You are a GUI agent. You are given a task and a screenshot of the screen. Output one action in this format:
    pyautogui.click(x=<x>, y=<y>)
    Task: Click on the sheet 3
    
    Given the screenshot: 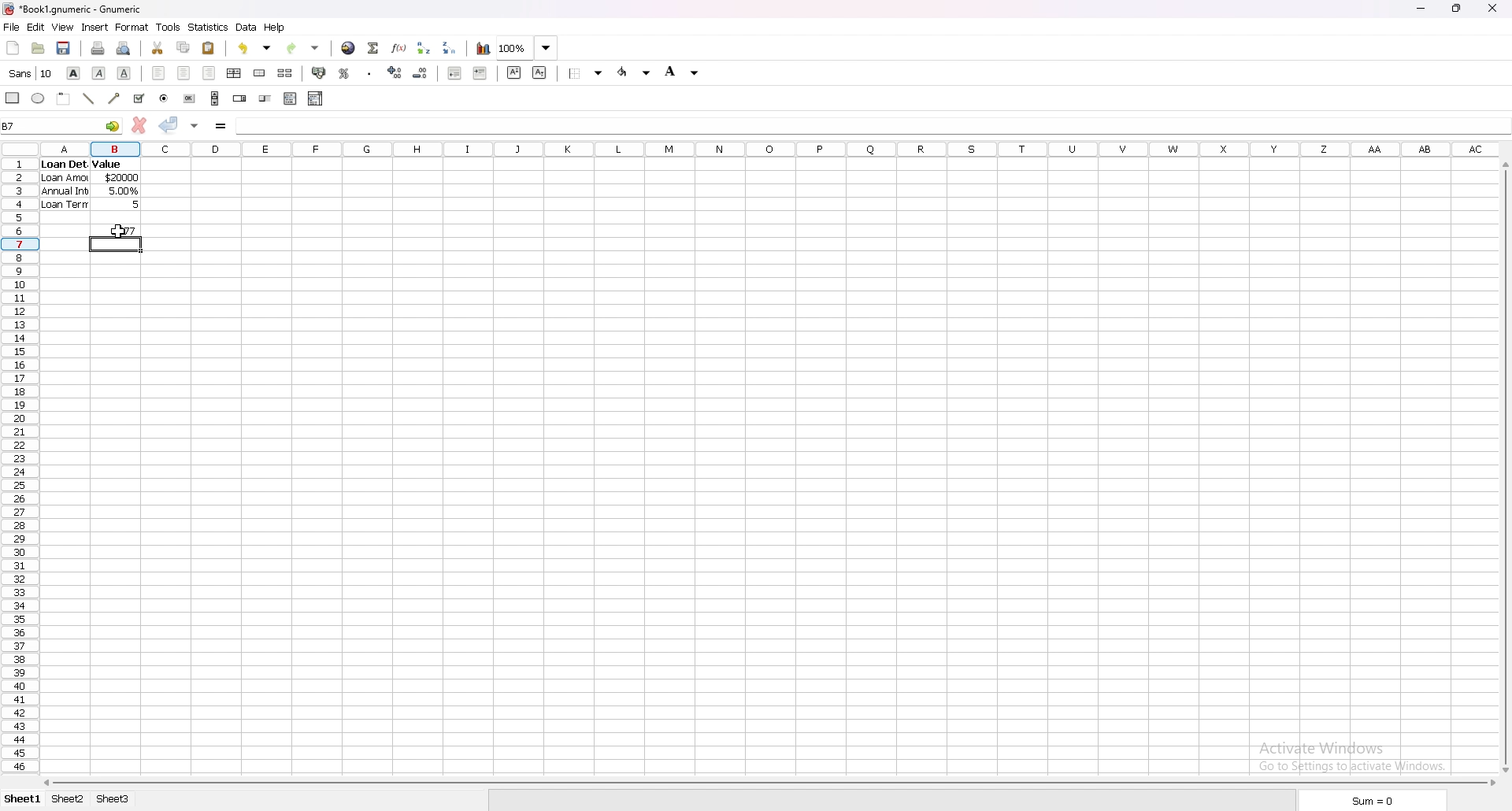 What is the action you would take?
    pyautogui.click(x=114, y=800)
    